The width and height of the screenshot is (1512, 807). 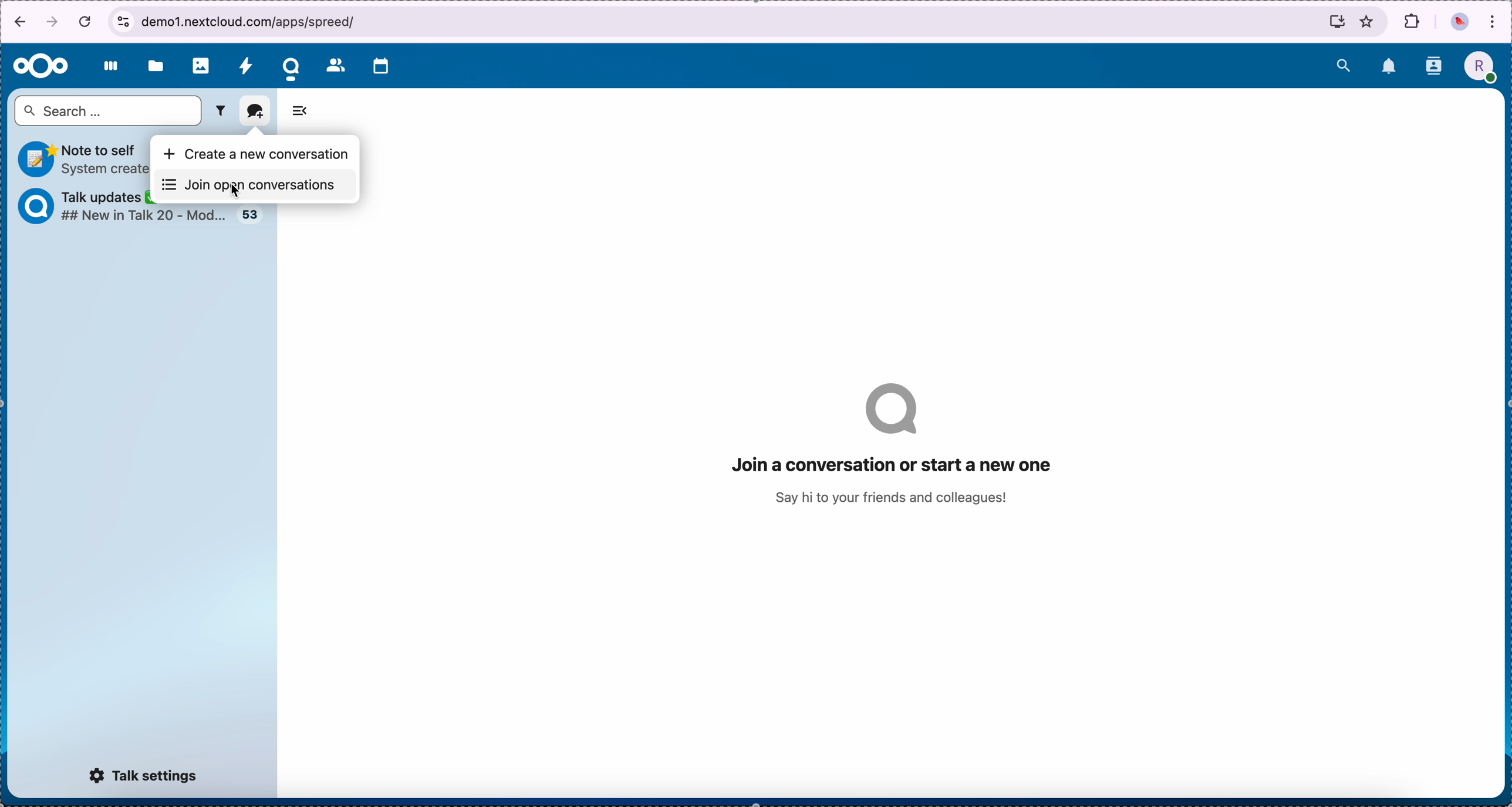 I want to click on search bar, so click(x=109, y=112).